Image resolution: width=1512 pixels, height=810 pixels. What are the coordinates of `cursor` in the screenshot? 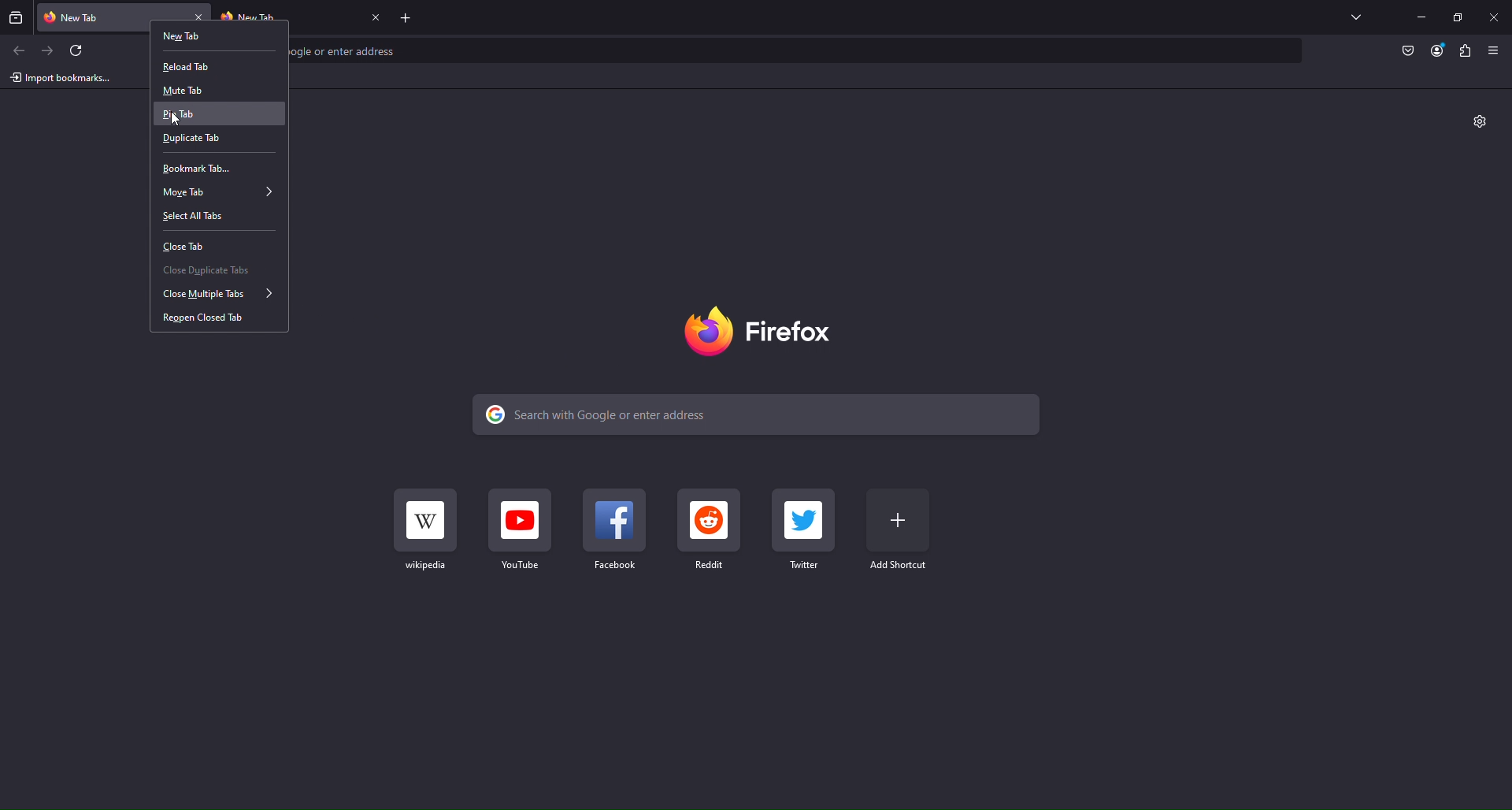 It's located at (179, 121).